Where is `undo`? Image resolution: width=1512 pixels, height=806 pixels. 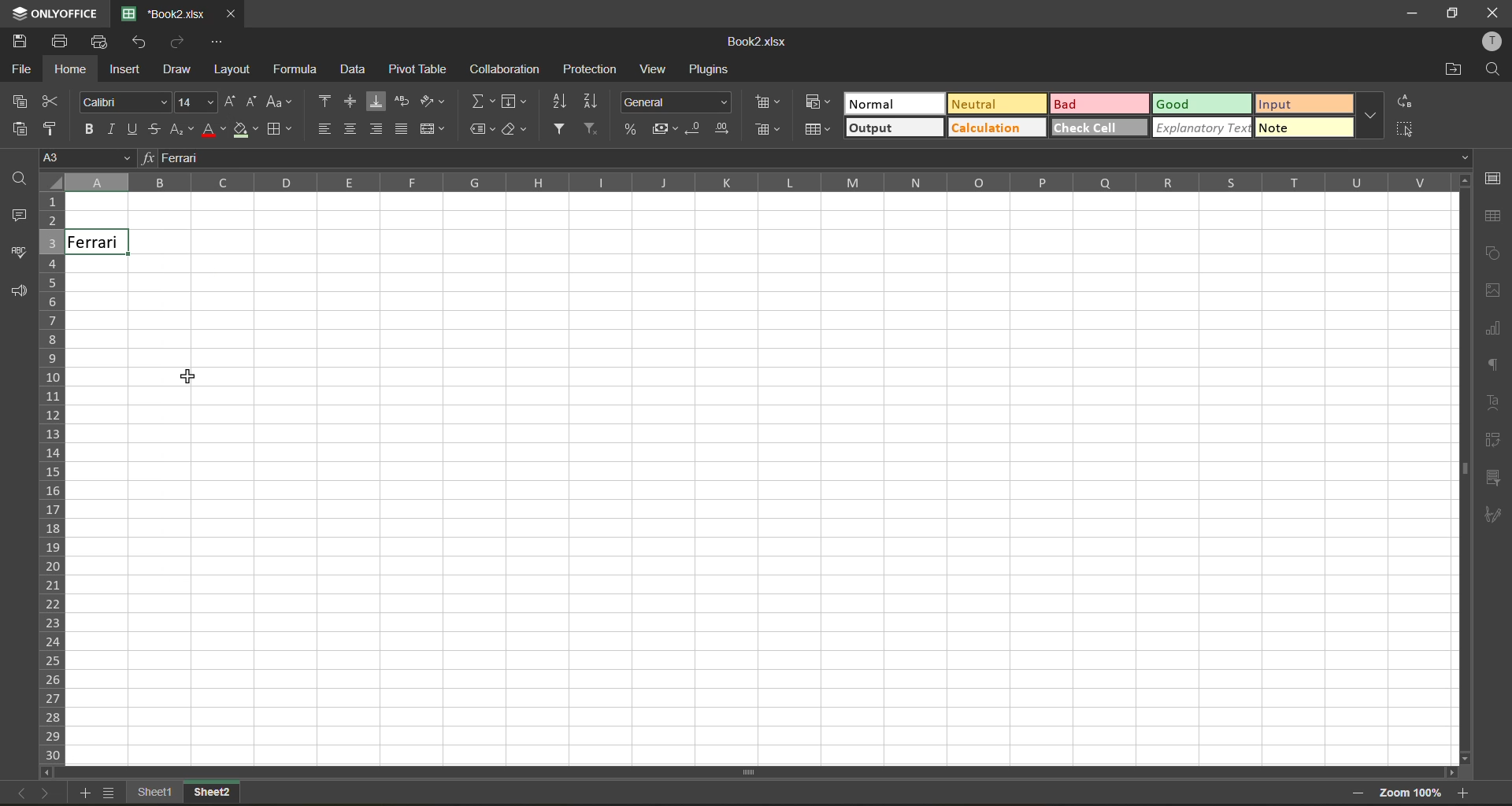 undo is located at coordinates (139, 41).